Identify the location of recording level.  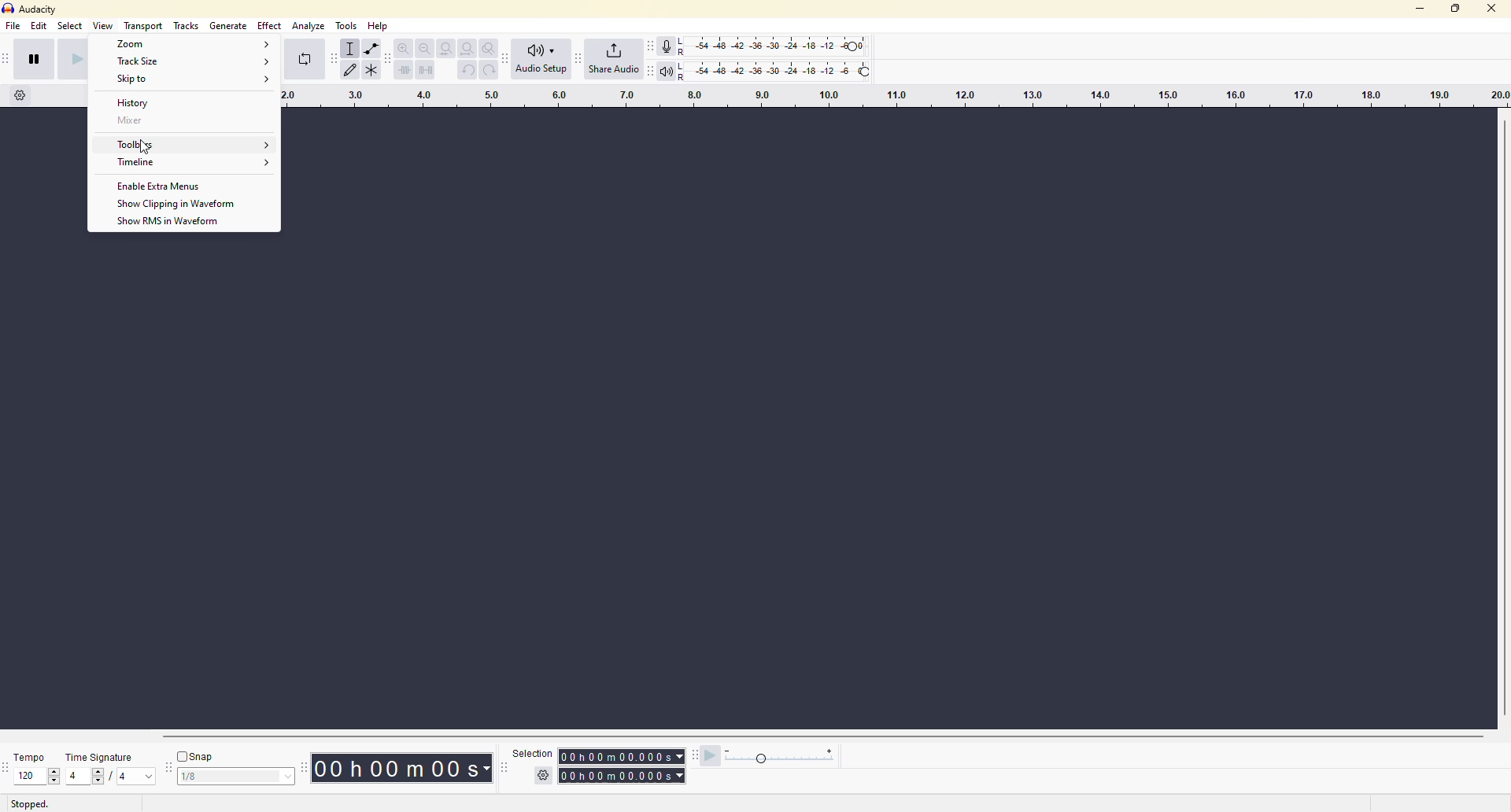
(775, 44).